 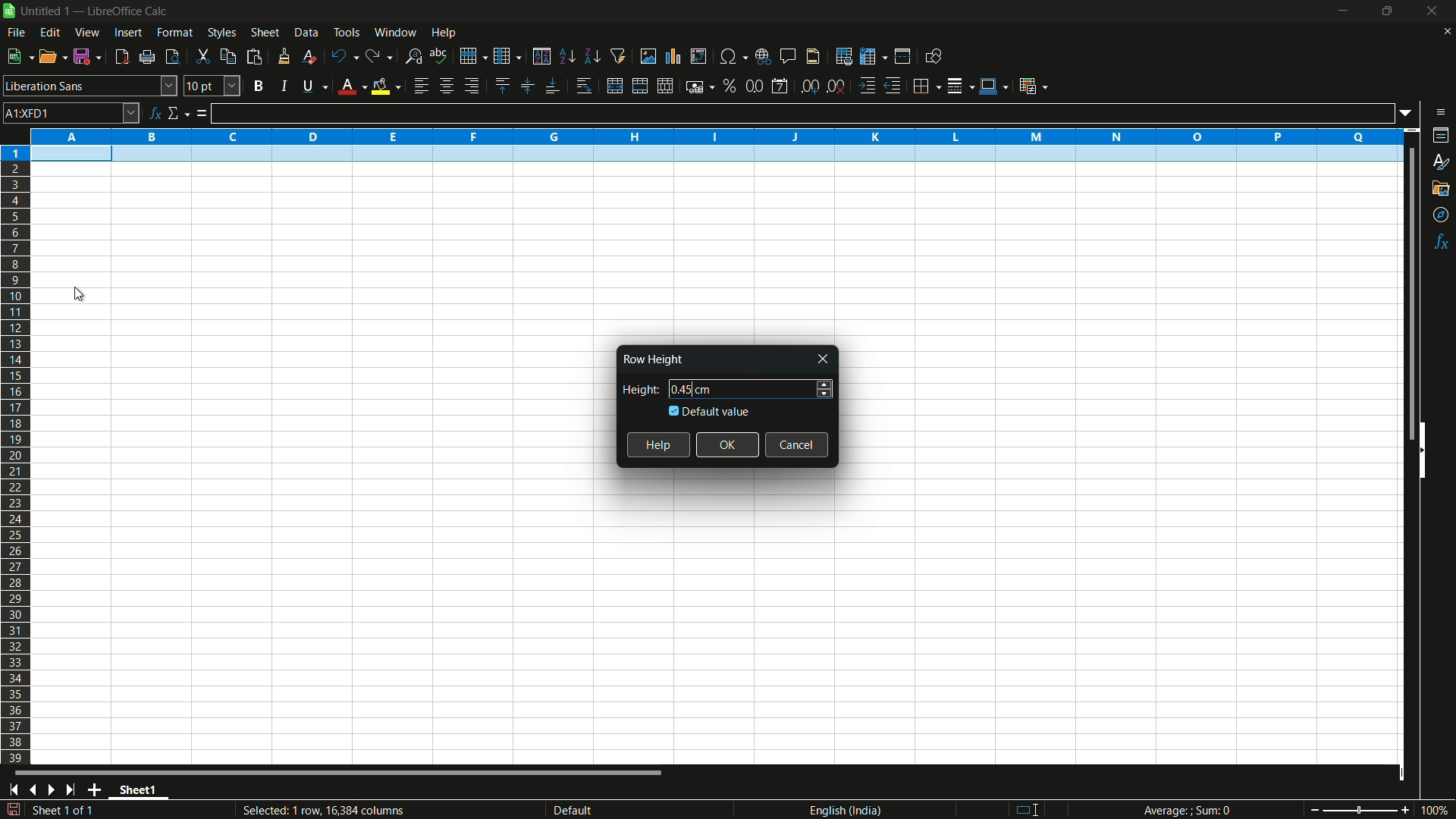 What do you see at coordinates (802, 113) in the screenshot?
I see `formula input line` at bounding box center [802, 113].